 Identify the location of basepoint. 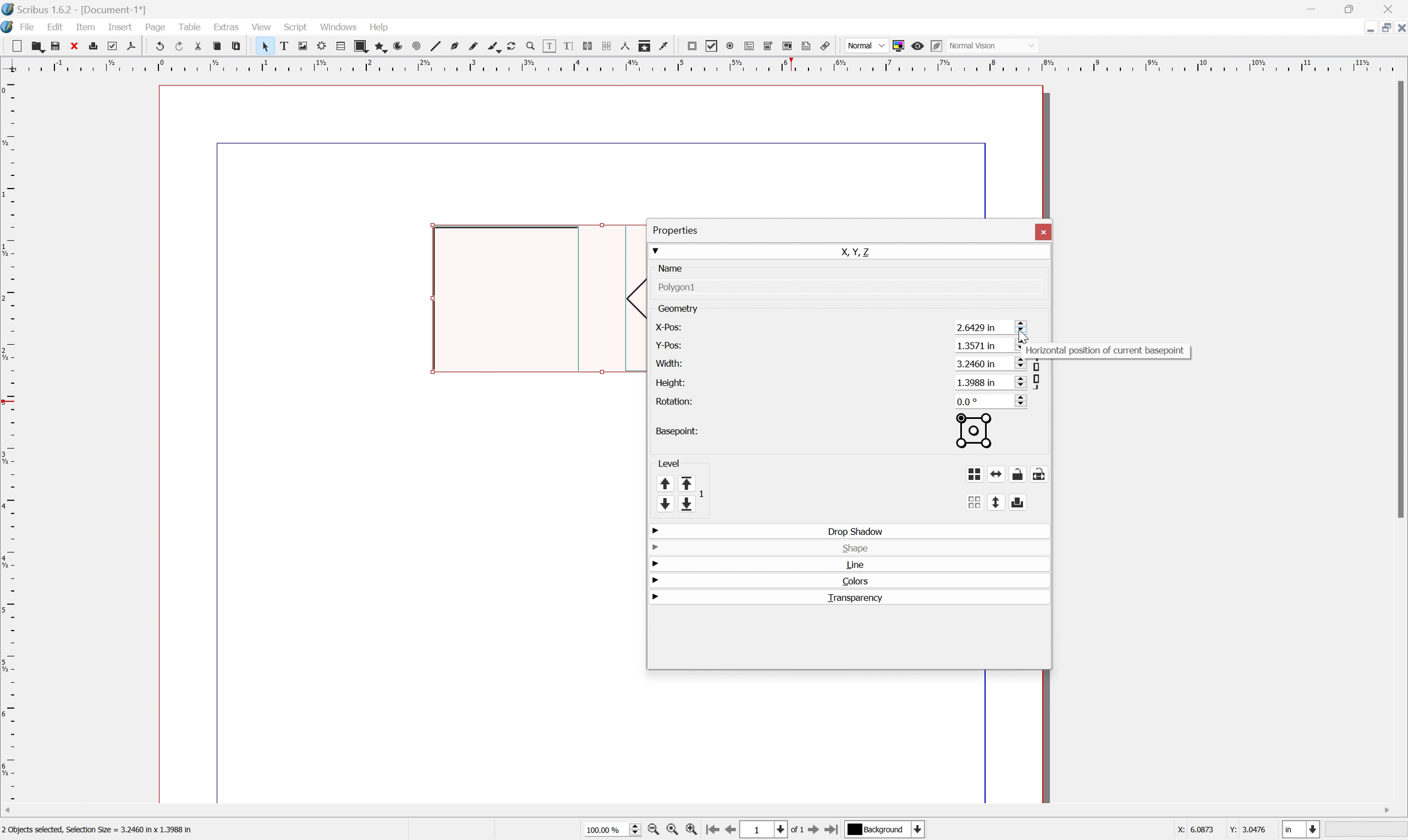
(677, 432).